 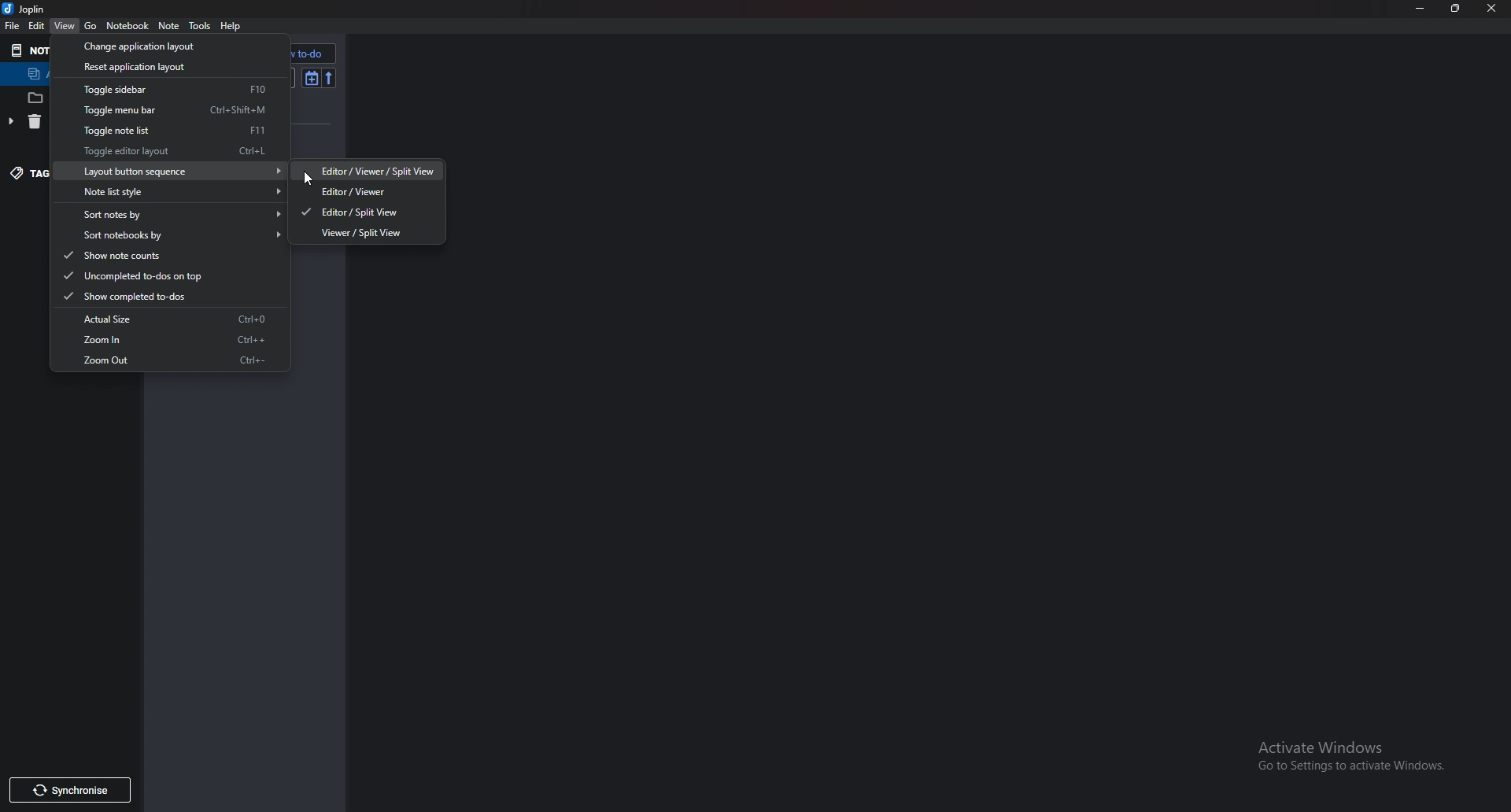 What do you see at coordinates (166, 342) in the screenshot?
I see `Zoom in` at bounding box center [166, 342].